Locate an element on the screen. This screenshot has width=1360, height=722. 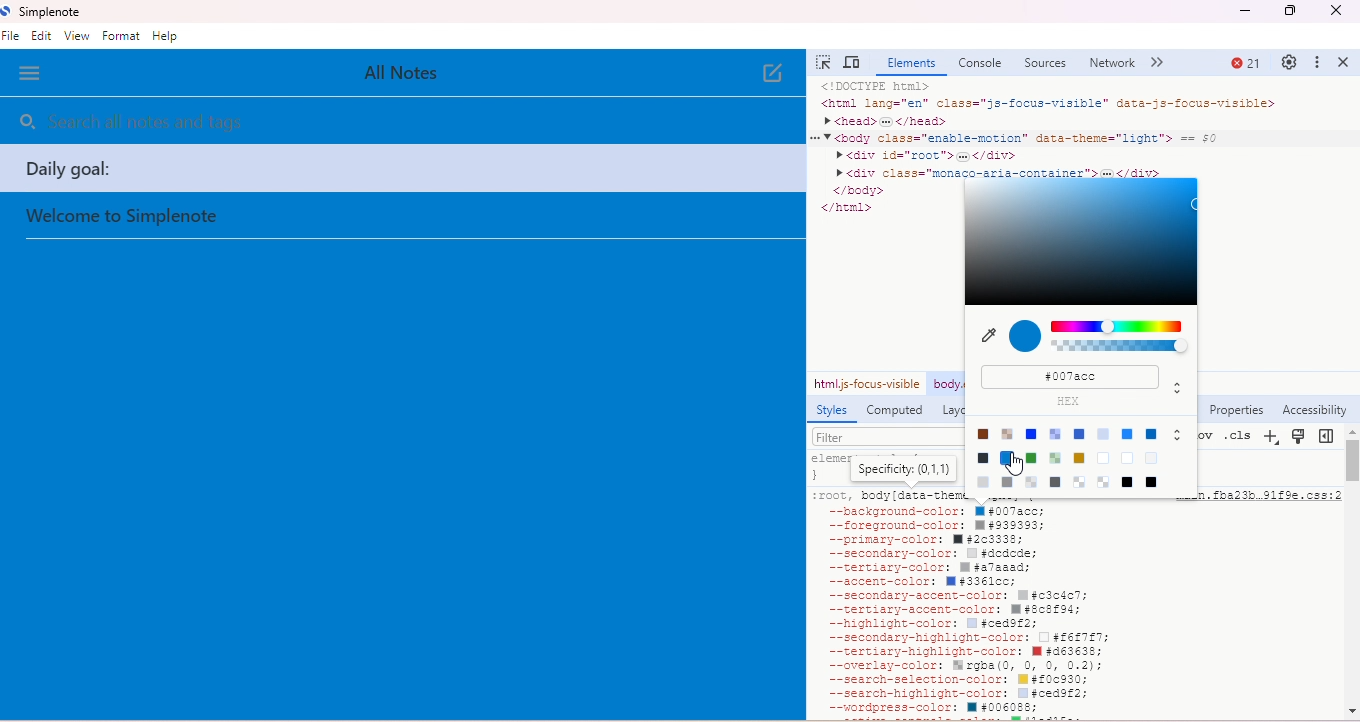
blue shade is located at coordinates (1080, 240).